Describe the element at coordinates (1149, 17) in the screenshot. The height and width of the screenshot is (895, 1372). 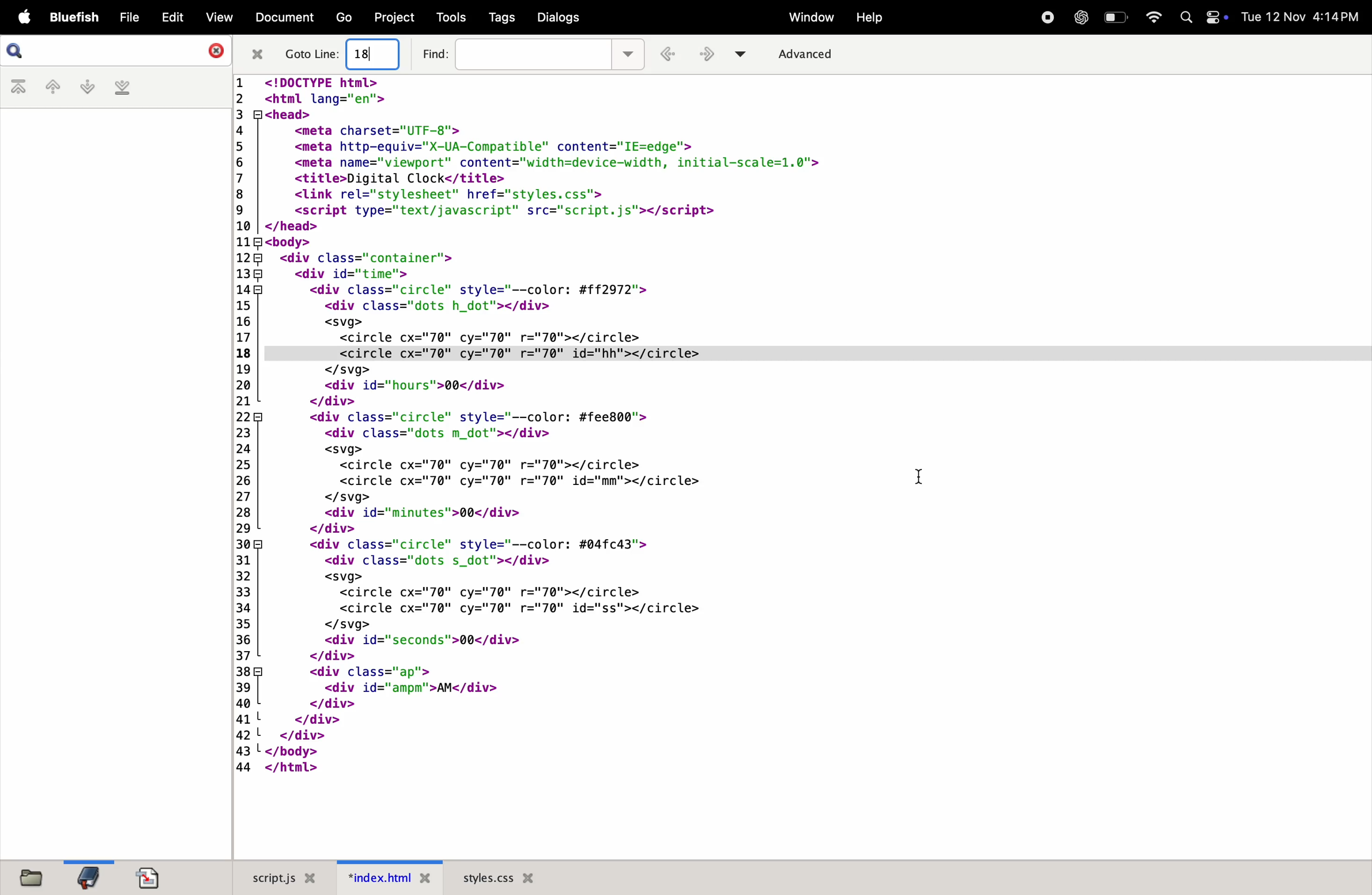
I see `wifi` at that location.